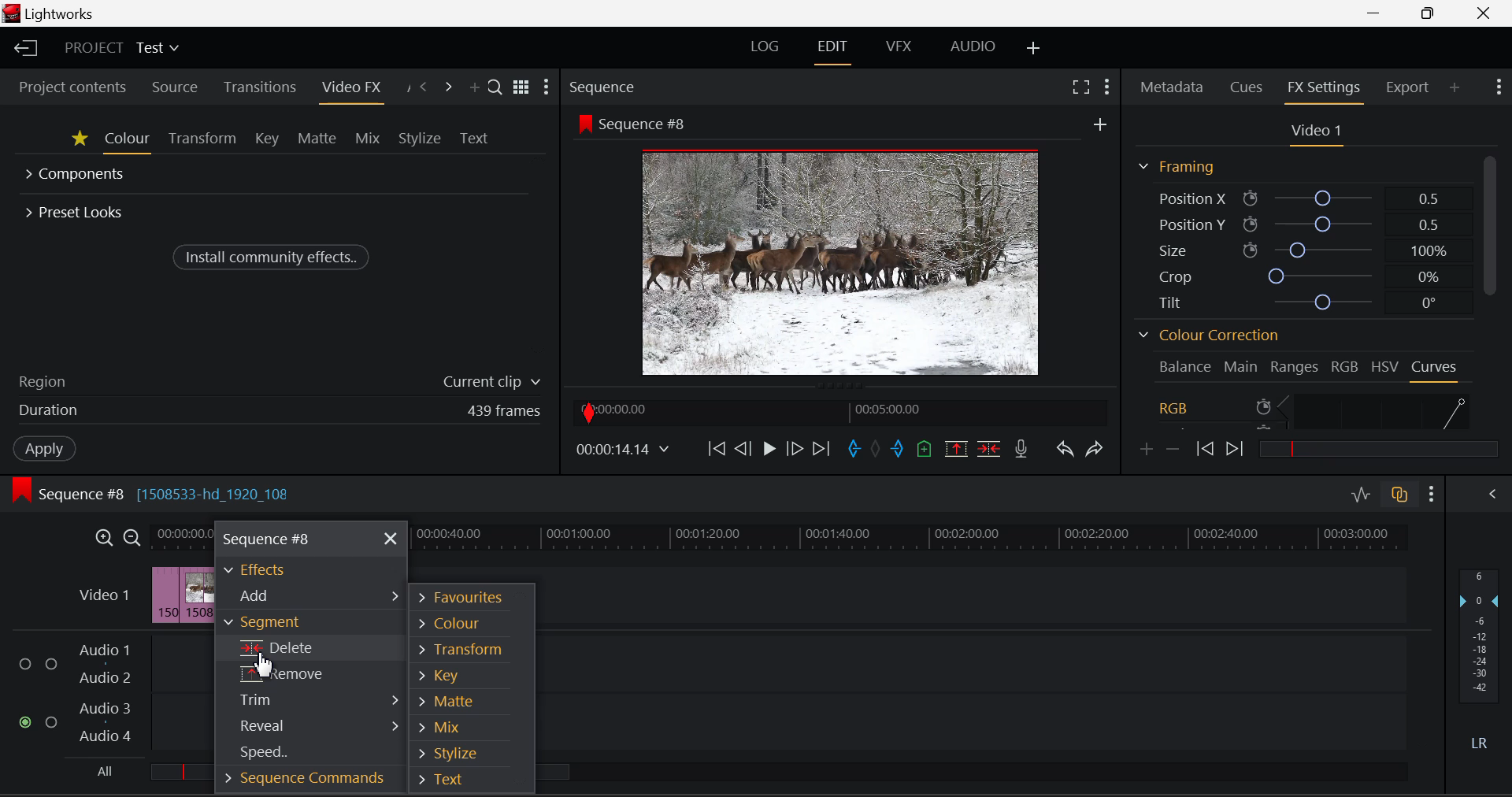 The width and height of the screenshot is (1512, 797). Describe the element at coordinates (548, 87) in the screenshot. I see `Show Settings` at that location.